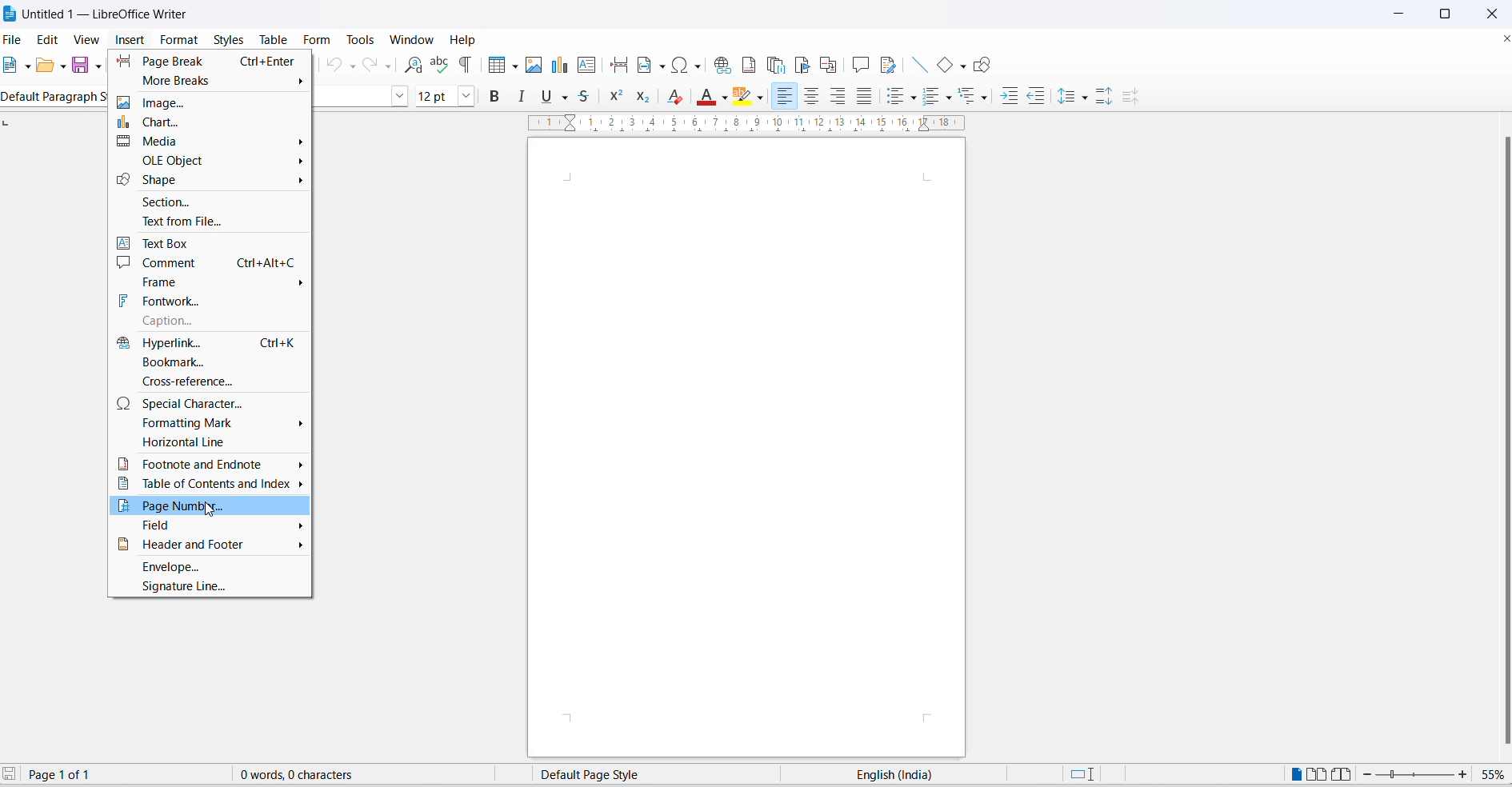 The image size is (1512, 787). What do you see at coordinates (586, 96) in the screenshot?
I see `strike through` at bounding box center [586, 96].